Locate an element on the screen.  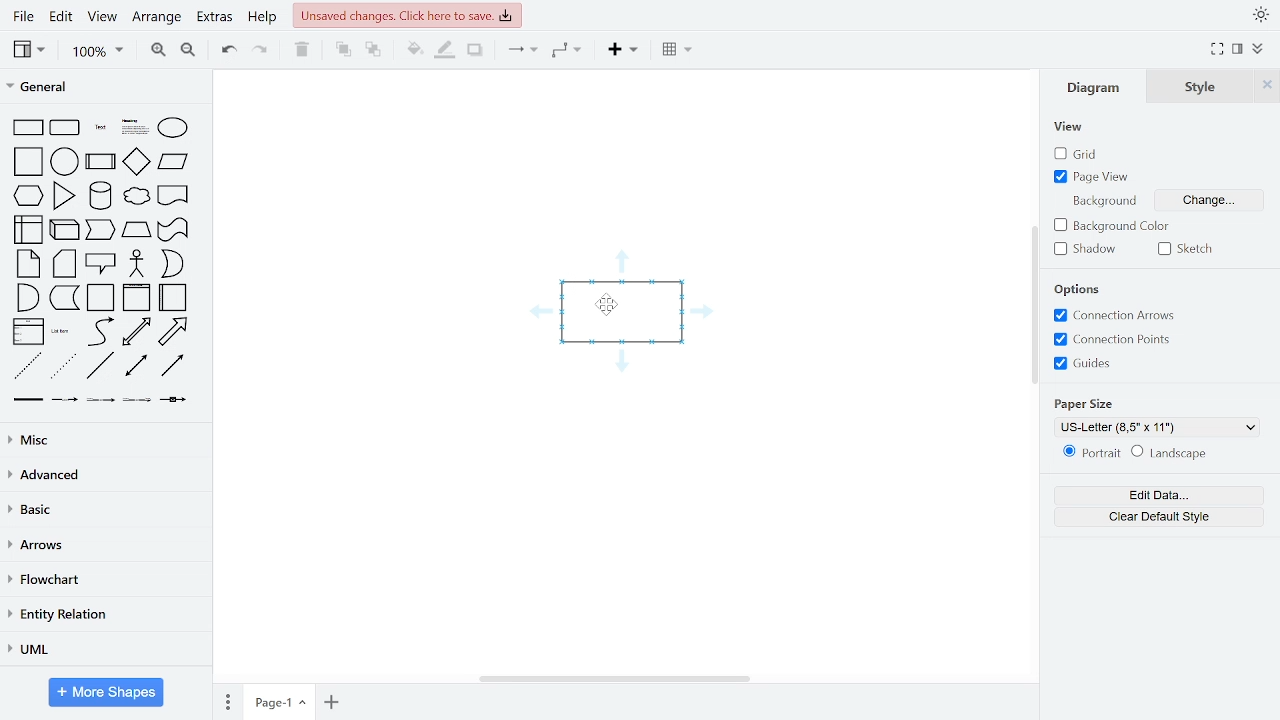
square is located at coordinates (27, 162).